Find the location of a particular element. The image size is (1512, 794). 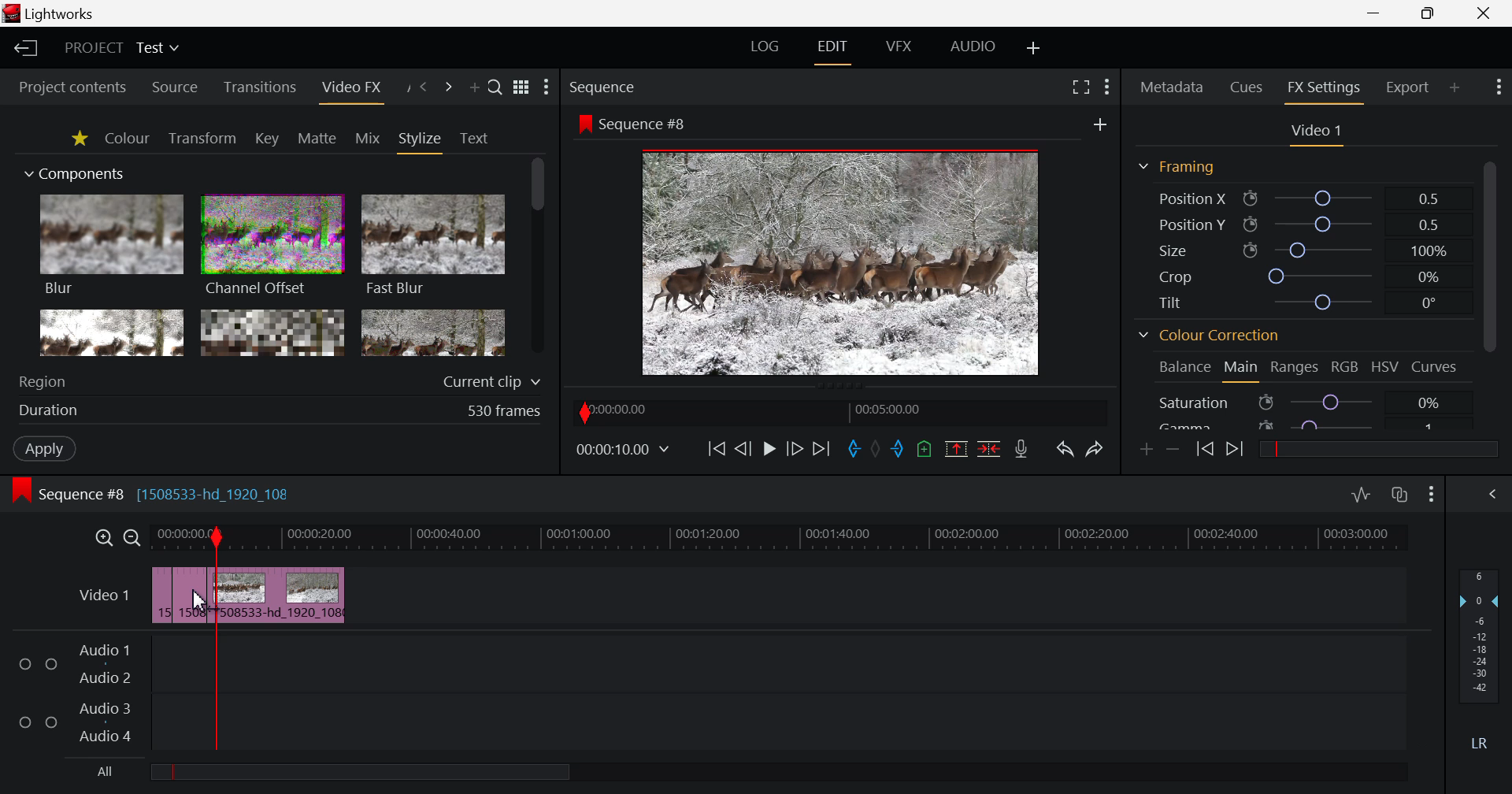

Gamma is located at coordinates (1310, 423).